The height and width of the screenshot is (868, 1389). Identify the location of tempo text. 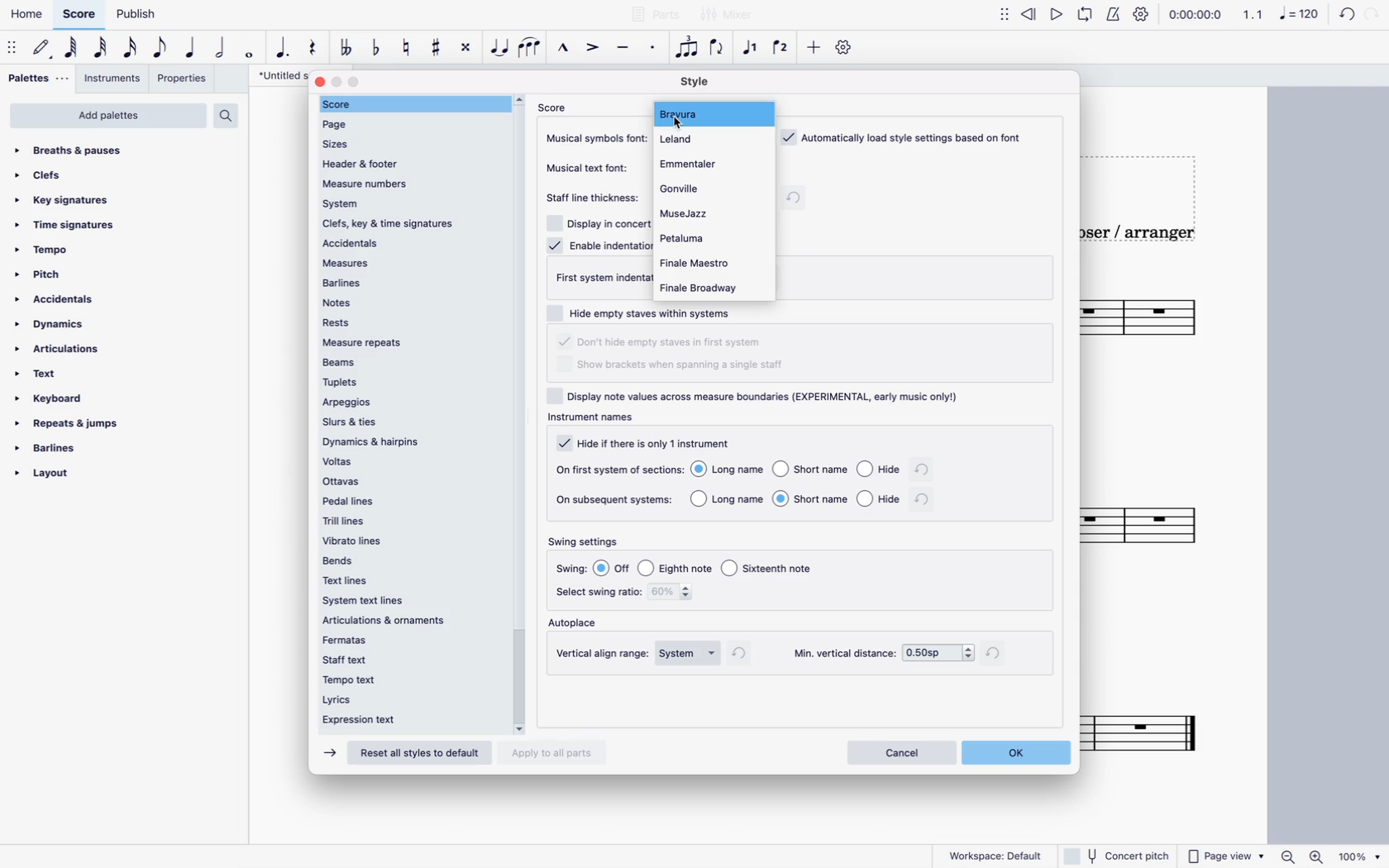
(408, 680).